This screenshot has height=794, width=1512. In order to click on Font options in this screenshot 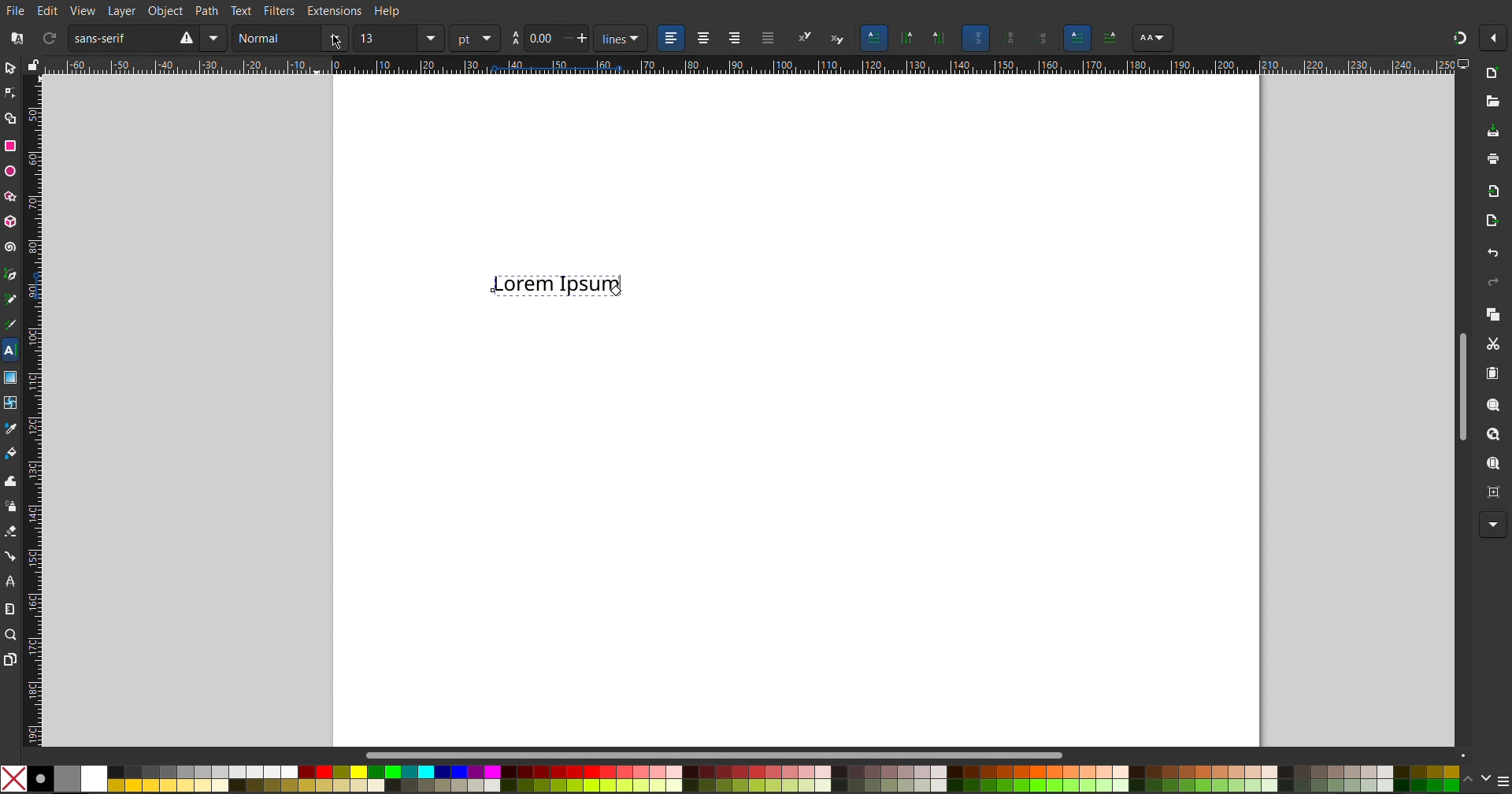, I will do `click(1152, 39)`.